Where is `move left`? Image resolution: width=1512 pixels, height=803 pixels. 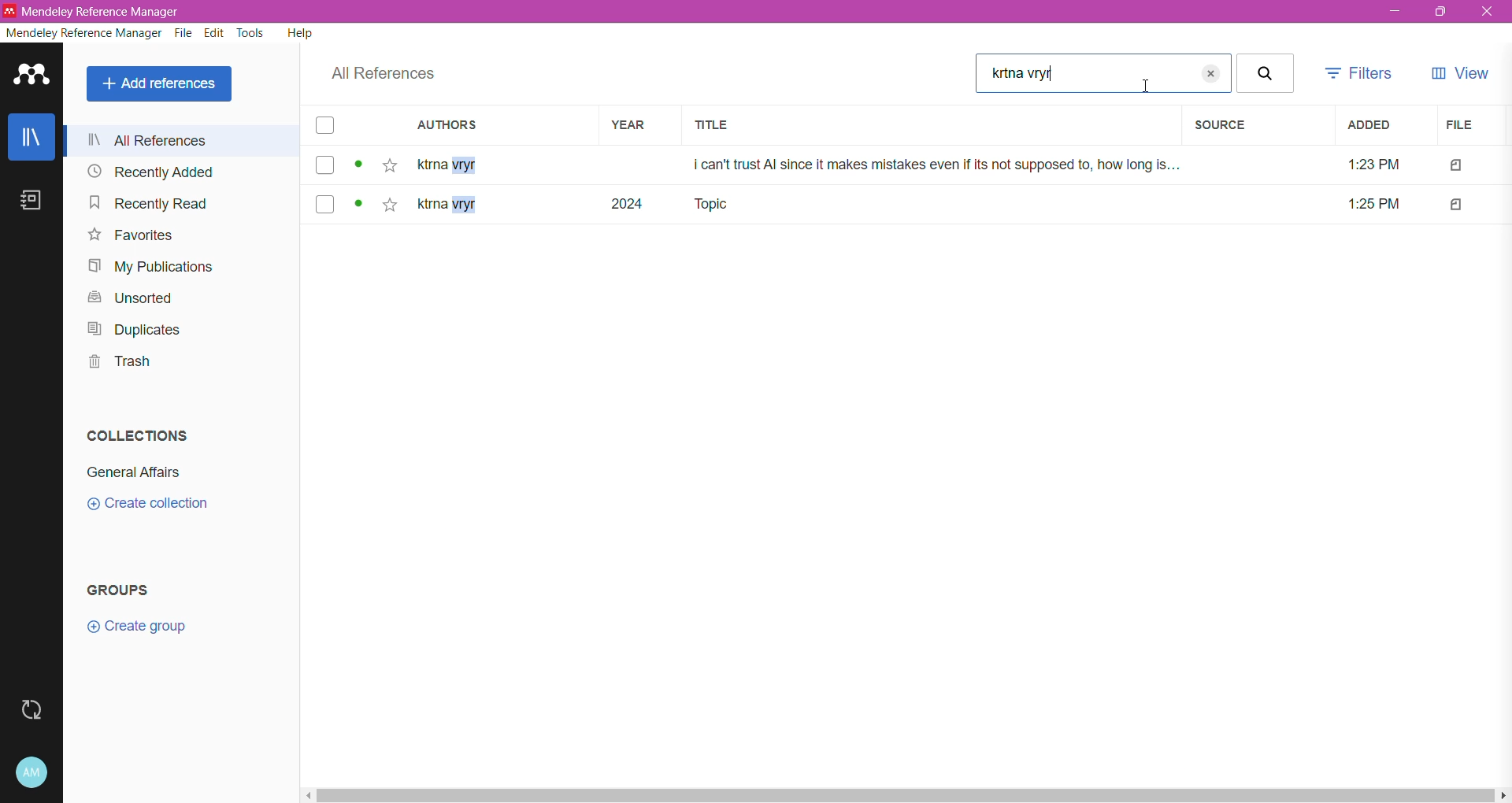
move left is located at coordinates (309, 796).